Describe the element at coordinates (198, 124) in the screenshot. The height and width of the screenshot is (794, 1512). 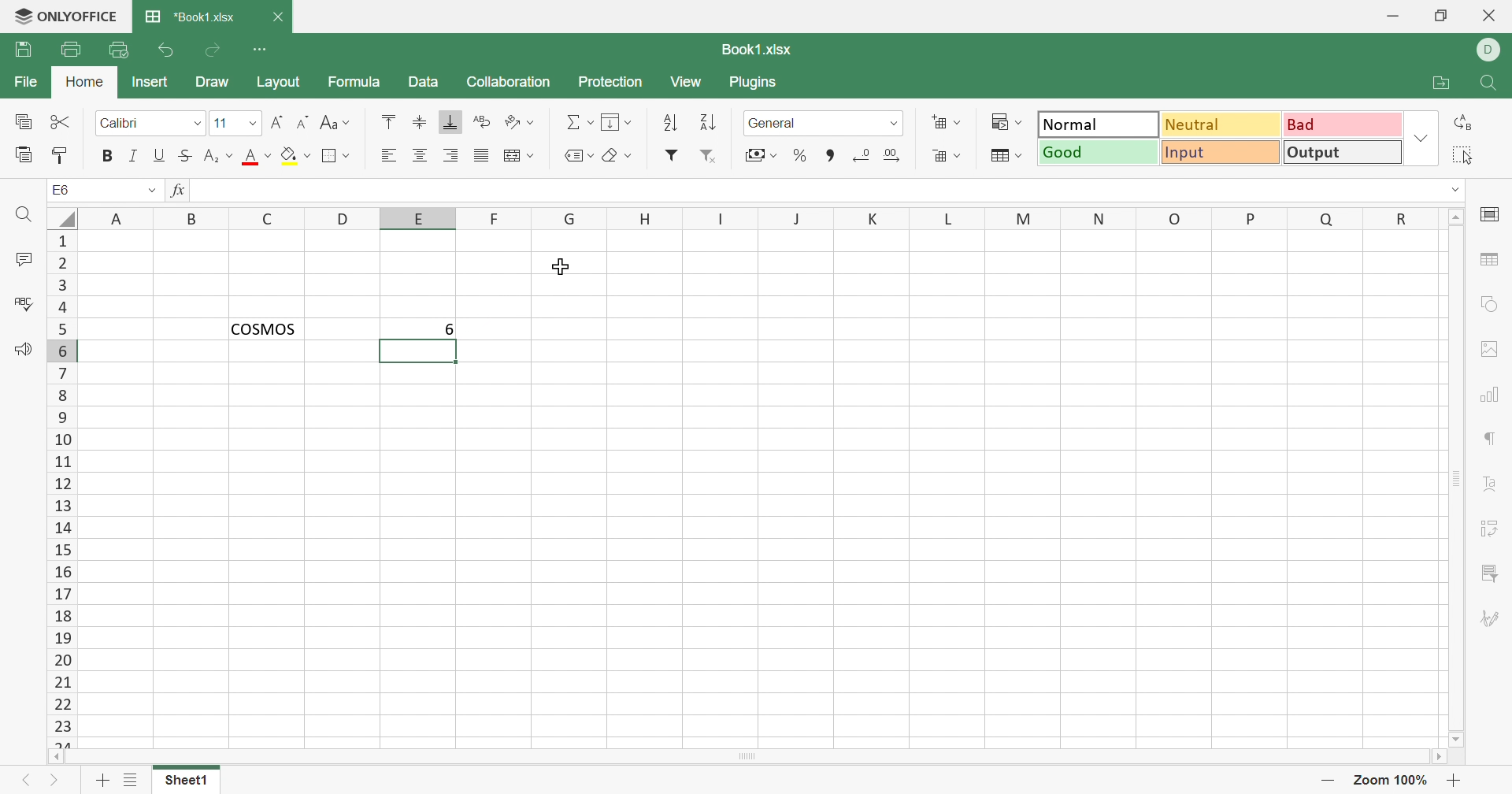
I see `Drop down` at that location.